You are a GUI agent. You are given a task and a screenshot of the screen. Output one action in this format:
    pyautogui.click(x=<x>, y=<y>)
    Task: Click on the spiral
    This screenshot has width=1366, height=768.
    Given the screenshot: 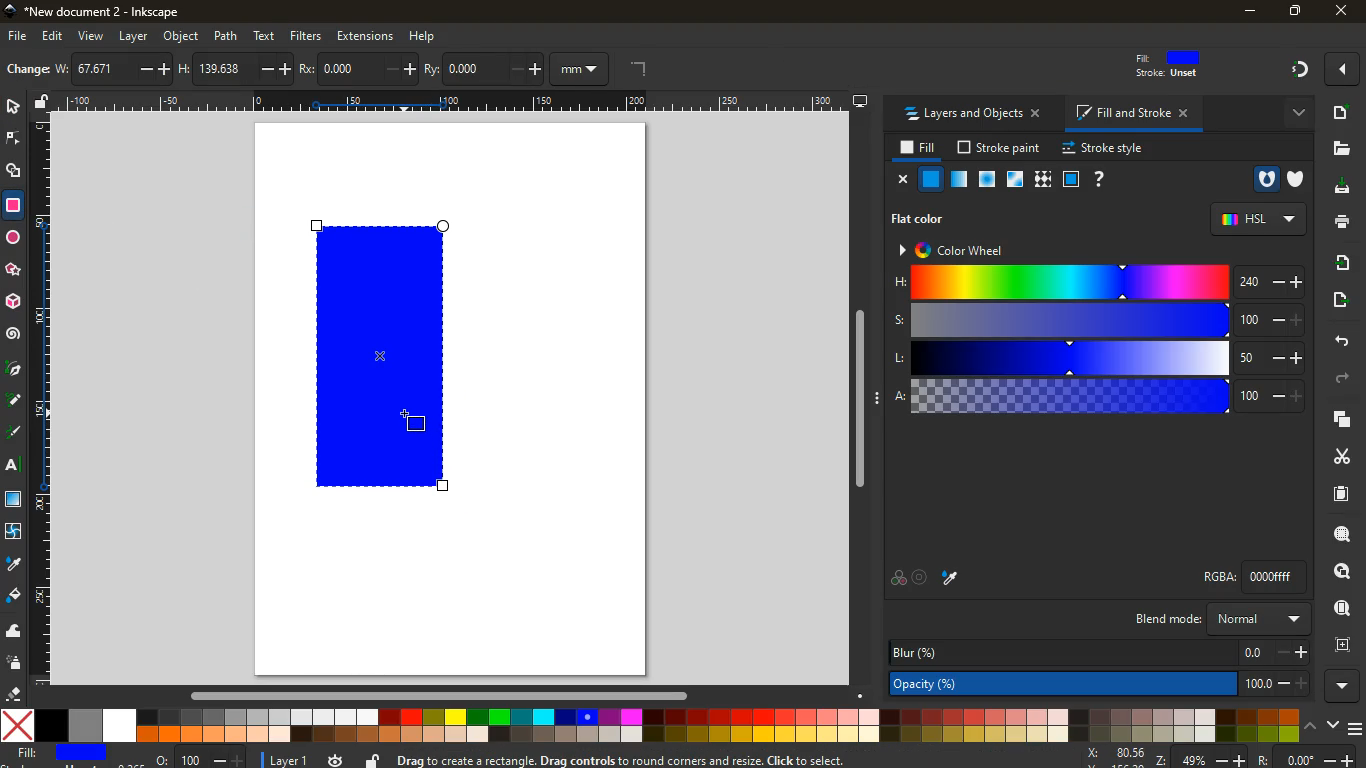 What is the action you would take?
    pyautogui.click(x=14, y=336)
    